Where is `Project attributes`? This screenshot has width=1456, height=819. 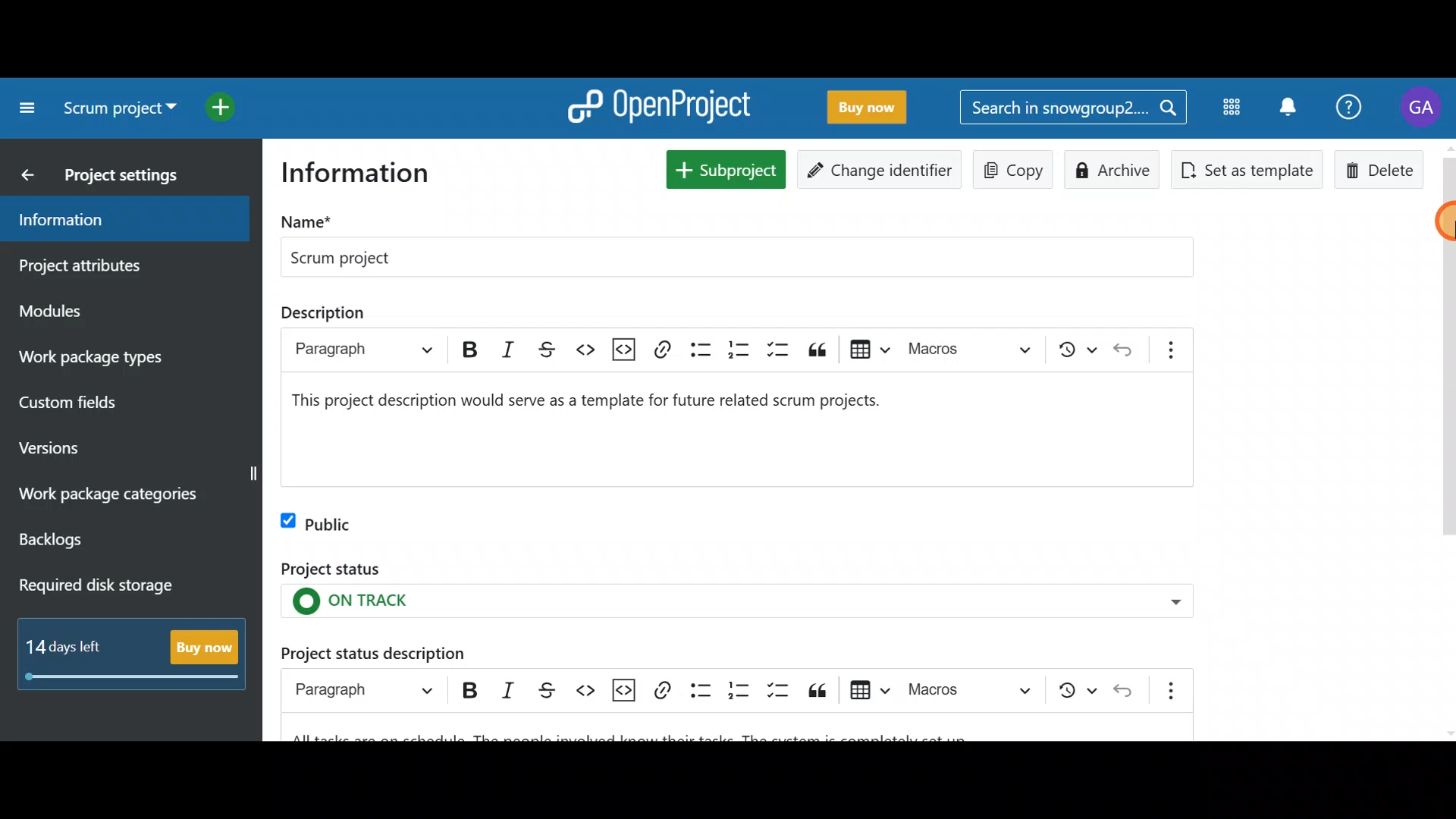
Project attributes is located at coordinates (108, 265).